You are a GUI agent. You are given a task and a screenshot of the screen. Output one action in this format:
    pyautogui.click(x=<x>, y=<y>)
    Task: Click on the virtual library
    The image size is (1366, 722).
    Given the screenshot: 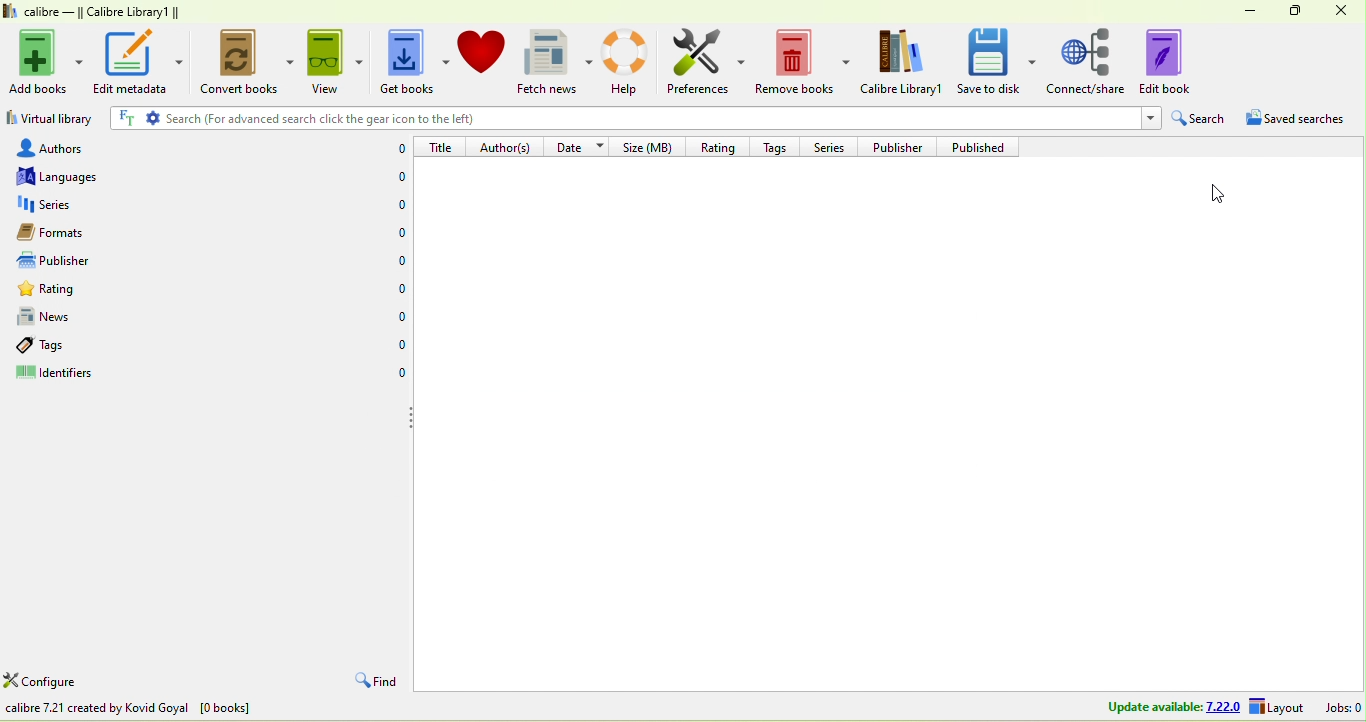 What is the action you would take?
    pyautogui.click(x=49, y=121)
    